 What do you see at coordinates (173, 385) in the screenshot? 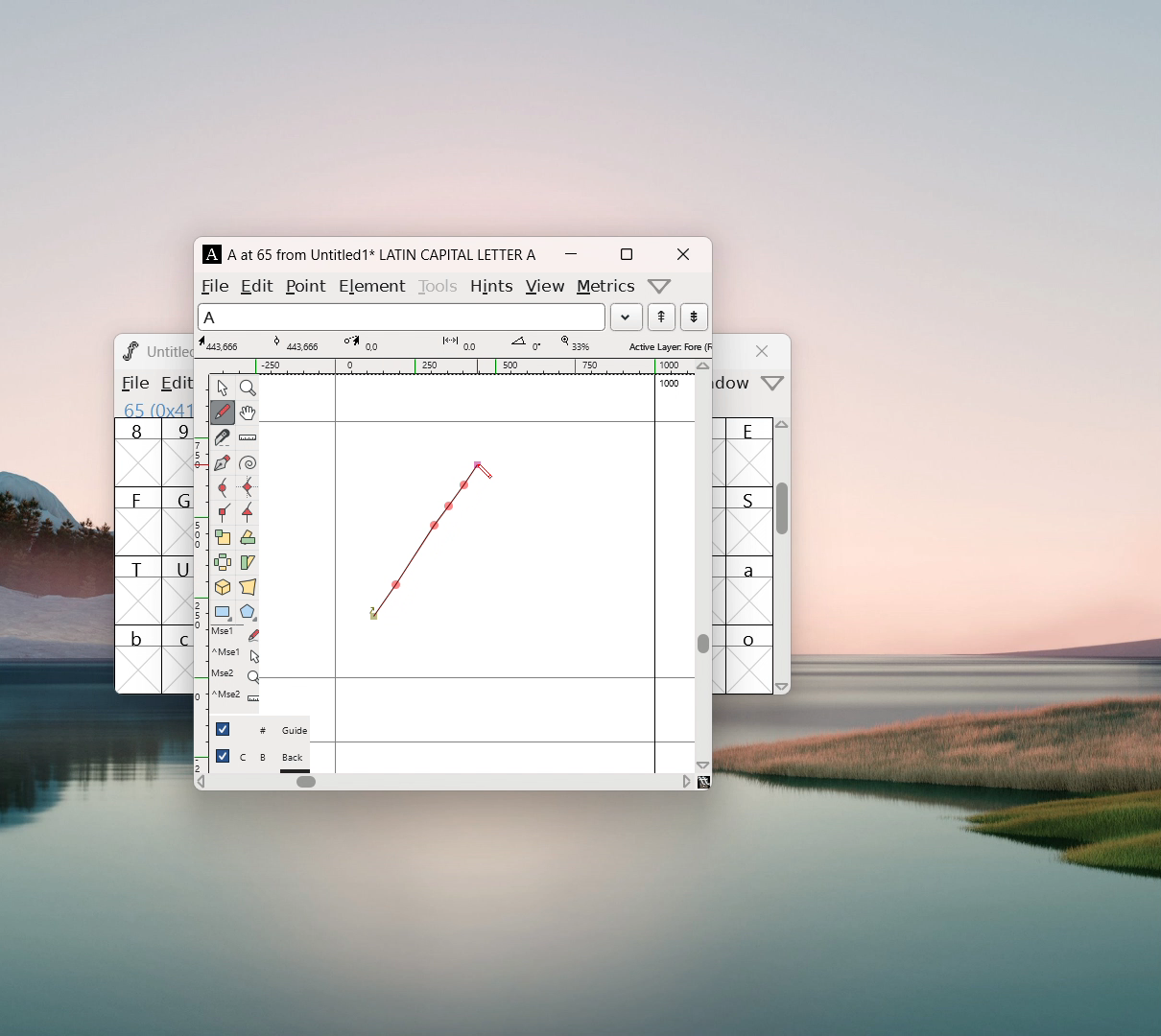
I see `` at bounding box center [173, 385].